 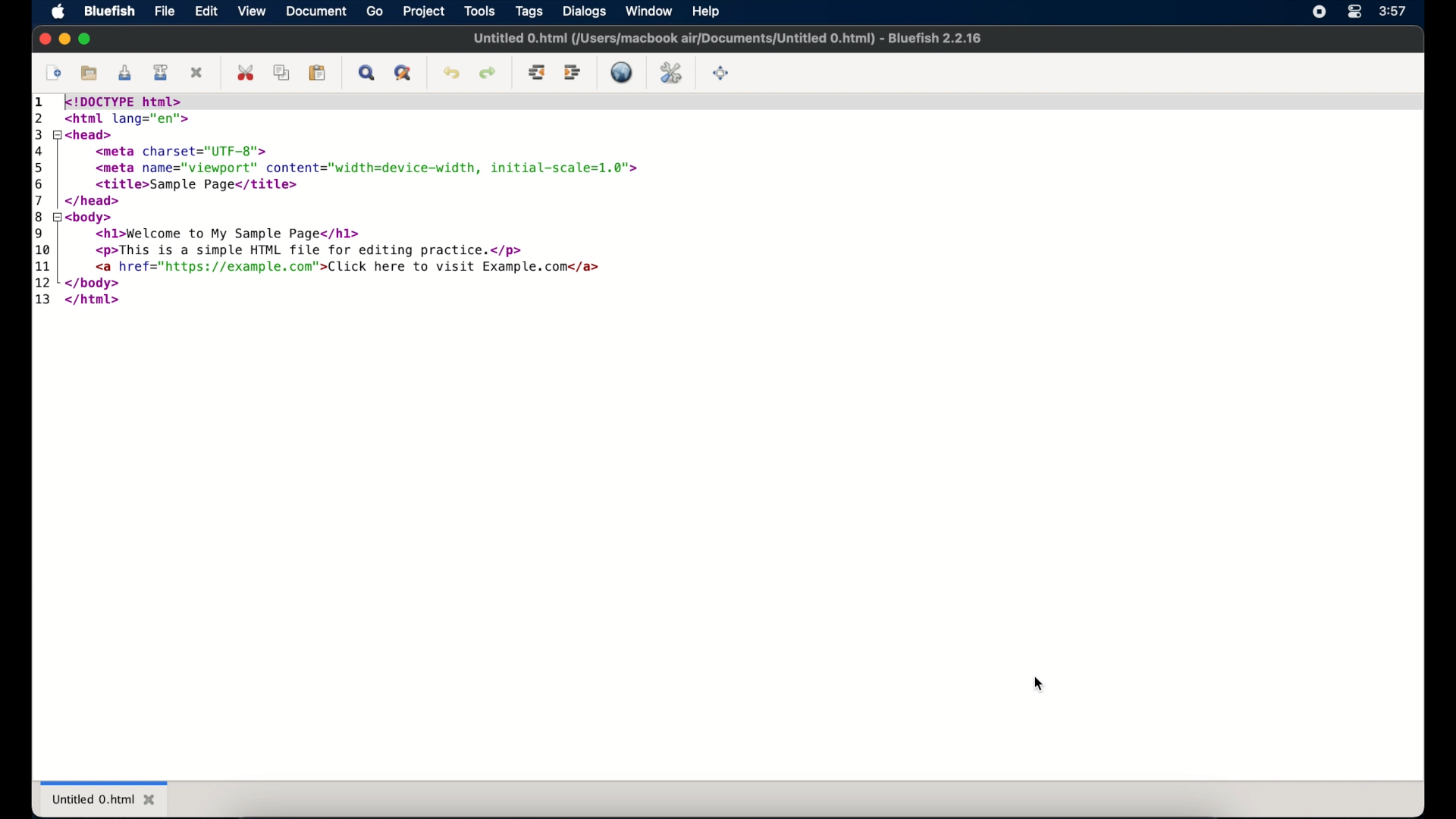 What do you see at coordinates (64, 38) in the screenshot?
I see `minimize` at bounding box center [64, 38].